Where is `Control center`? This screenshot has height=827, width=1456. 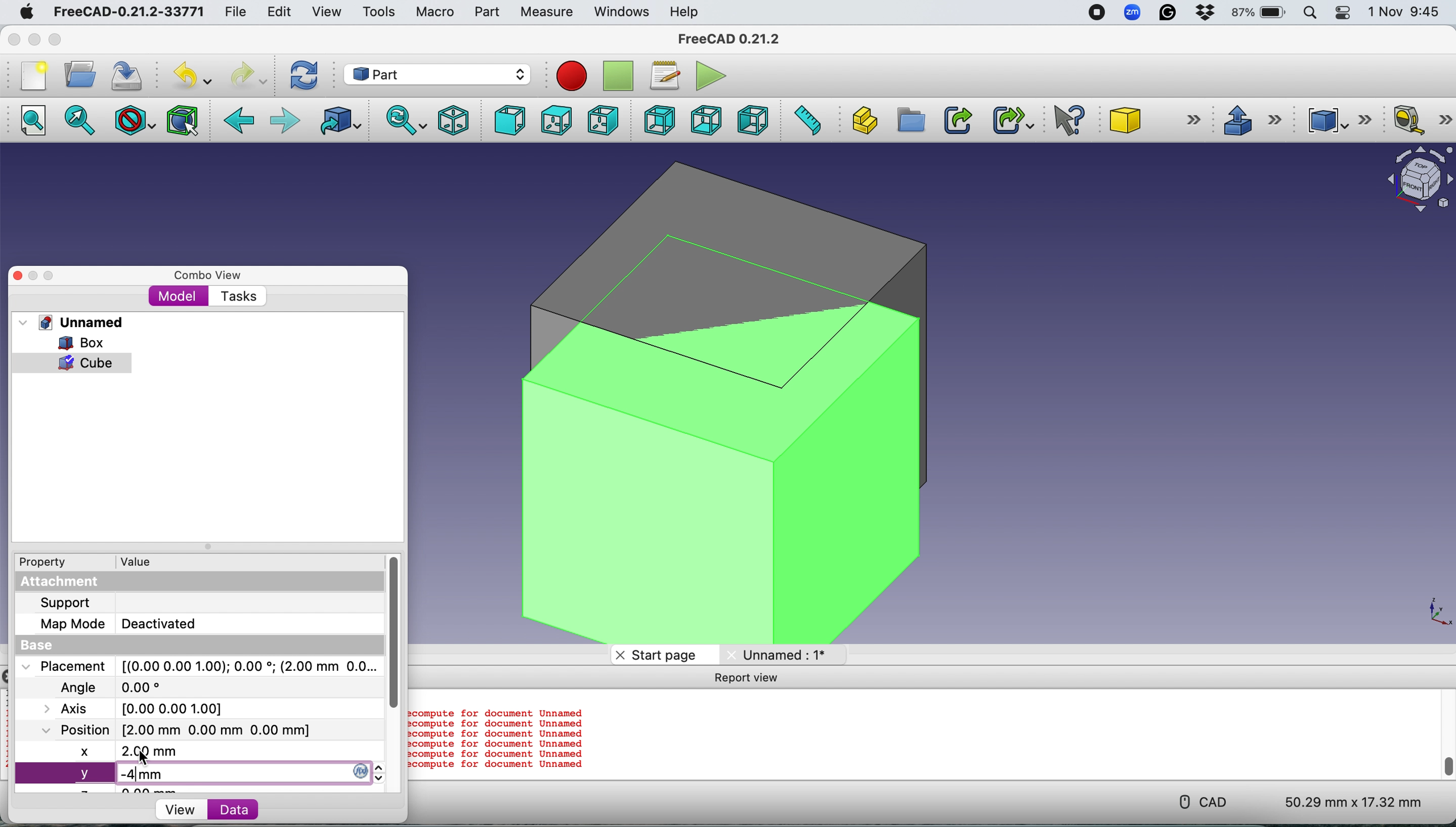 Control center is located at coordinates (1345, 13).